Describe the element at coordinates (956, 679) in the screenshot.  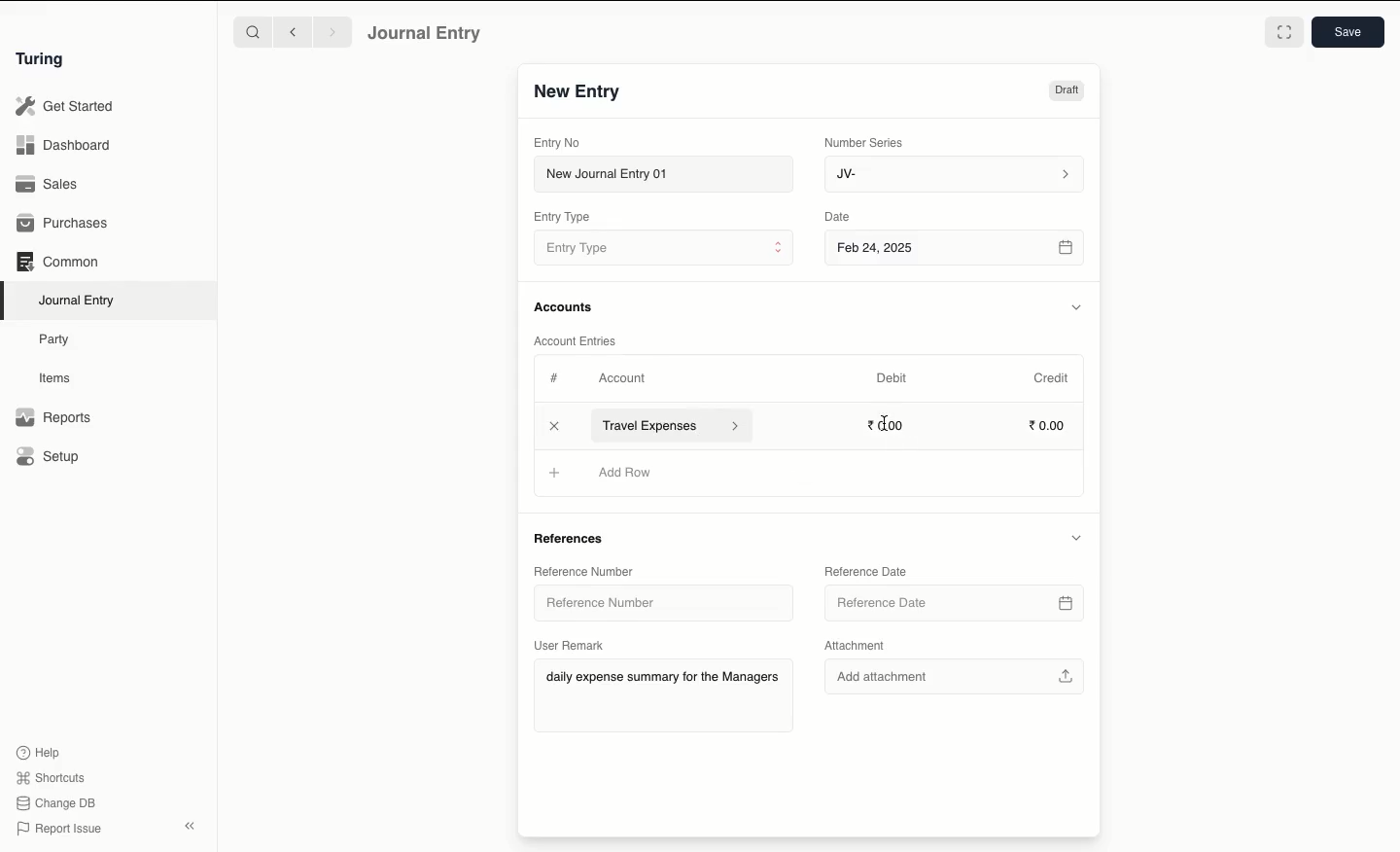
I see `Add attachment` at that location.